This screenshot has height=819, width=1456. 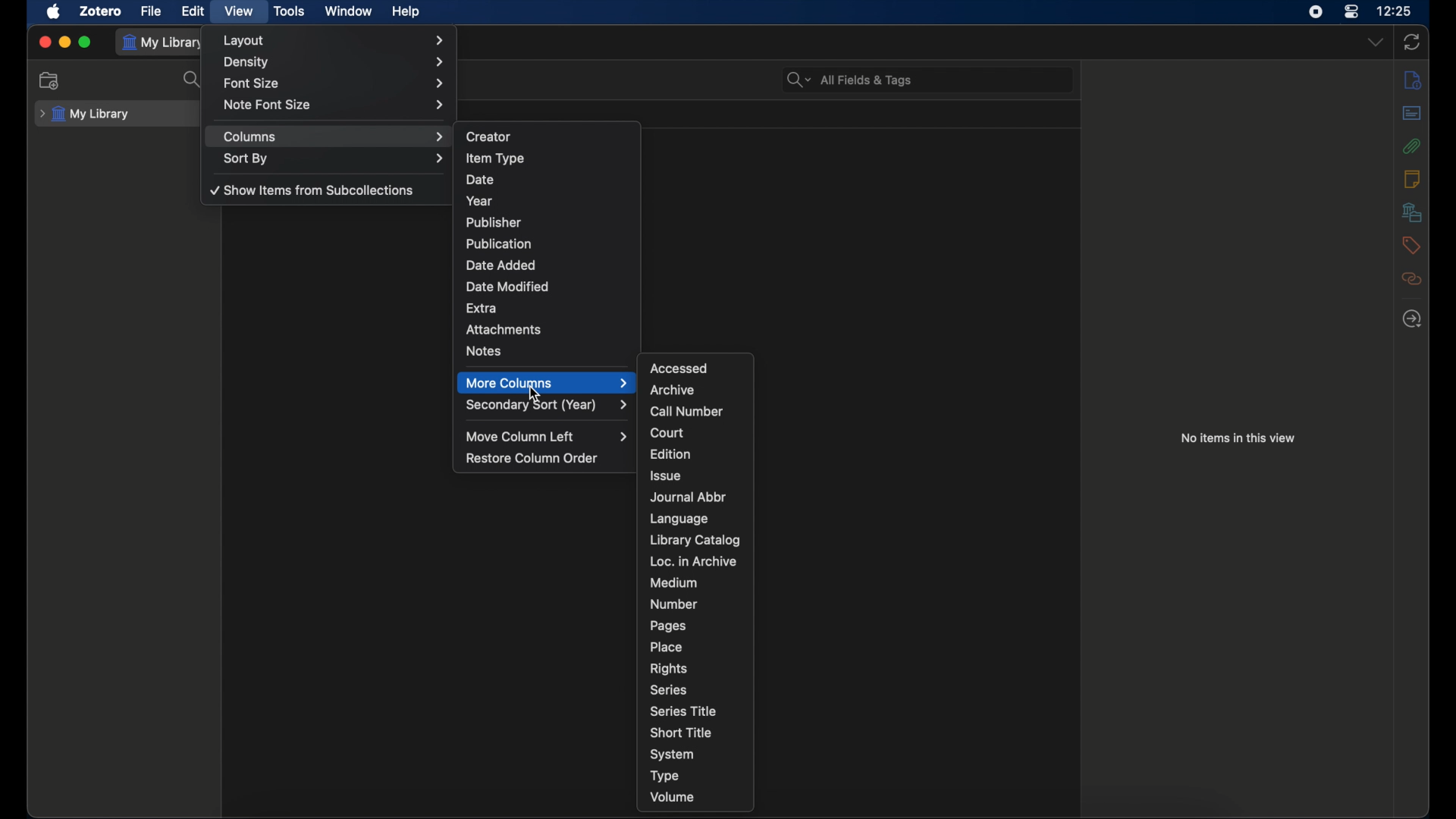 What do you see at coordinates (1352, 11) in the screenshot?
I see `control center` at bounding box center [1352, 11].